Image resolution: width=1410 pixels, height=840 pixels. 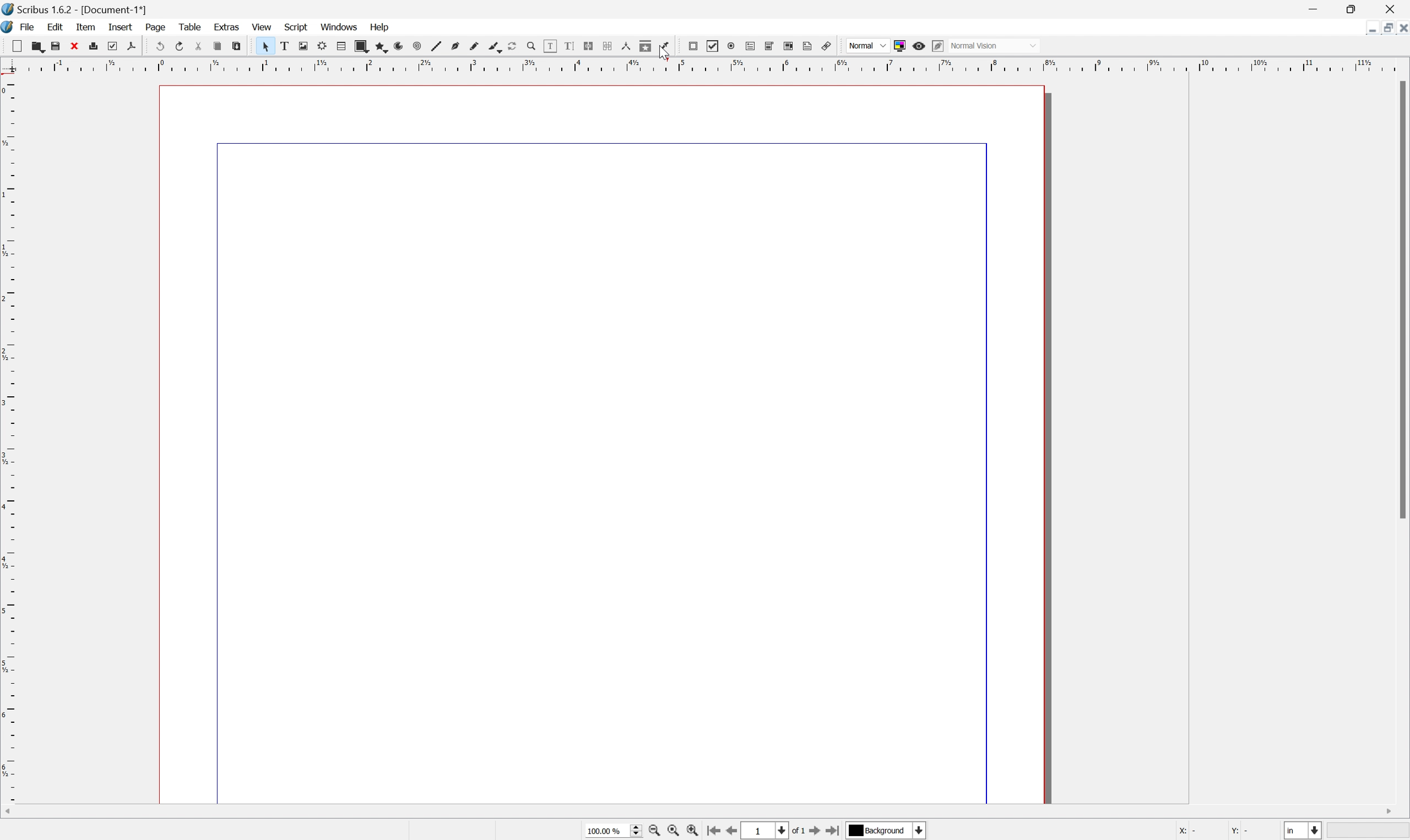 What do you see at coordinates (87, 27) in the screenshot?
I see `item` at bounding box center [87, 27].